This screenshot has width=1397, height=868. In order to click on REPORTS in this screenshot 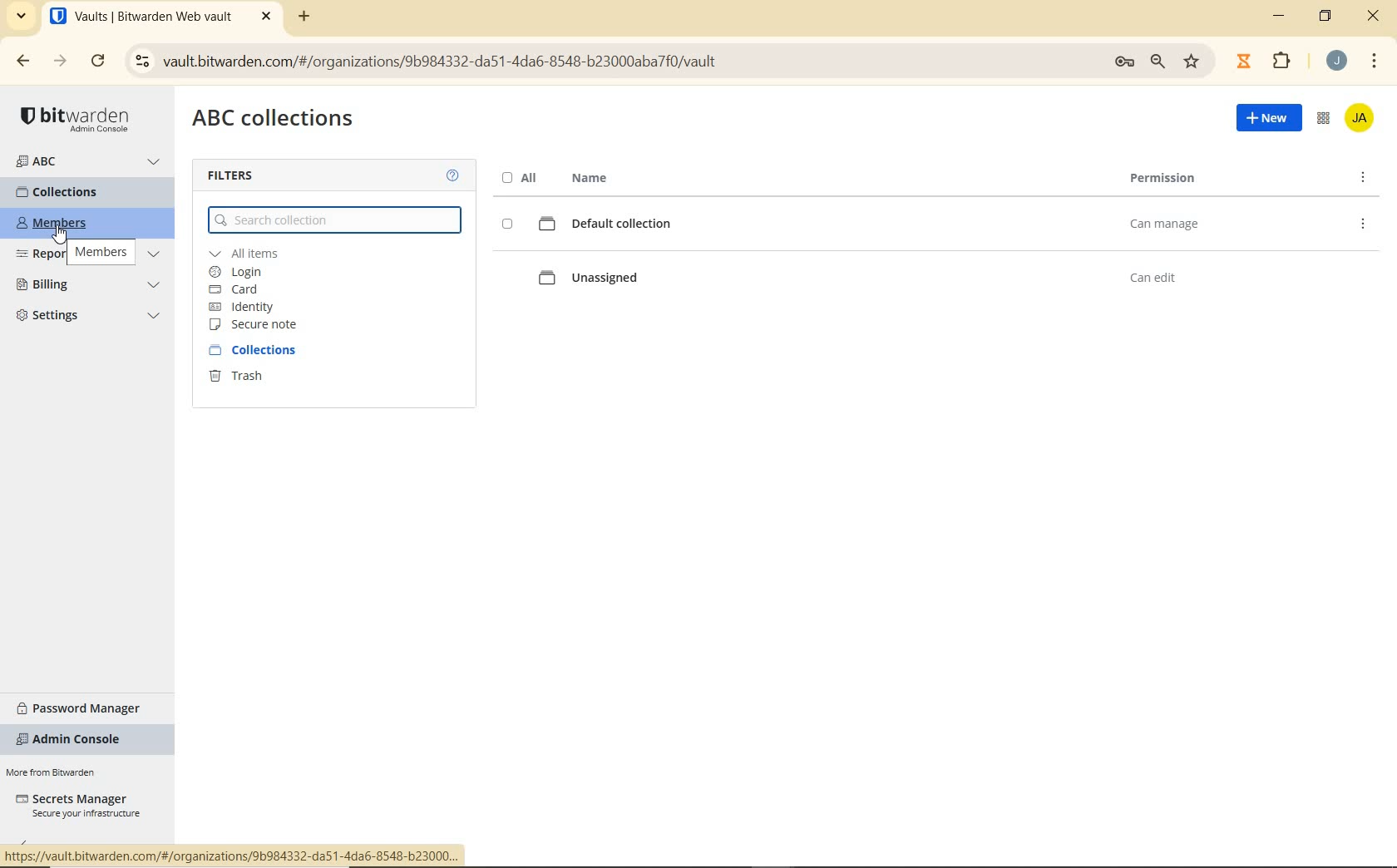, I will do `click(91, 254)`.